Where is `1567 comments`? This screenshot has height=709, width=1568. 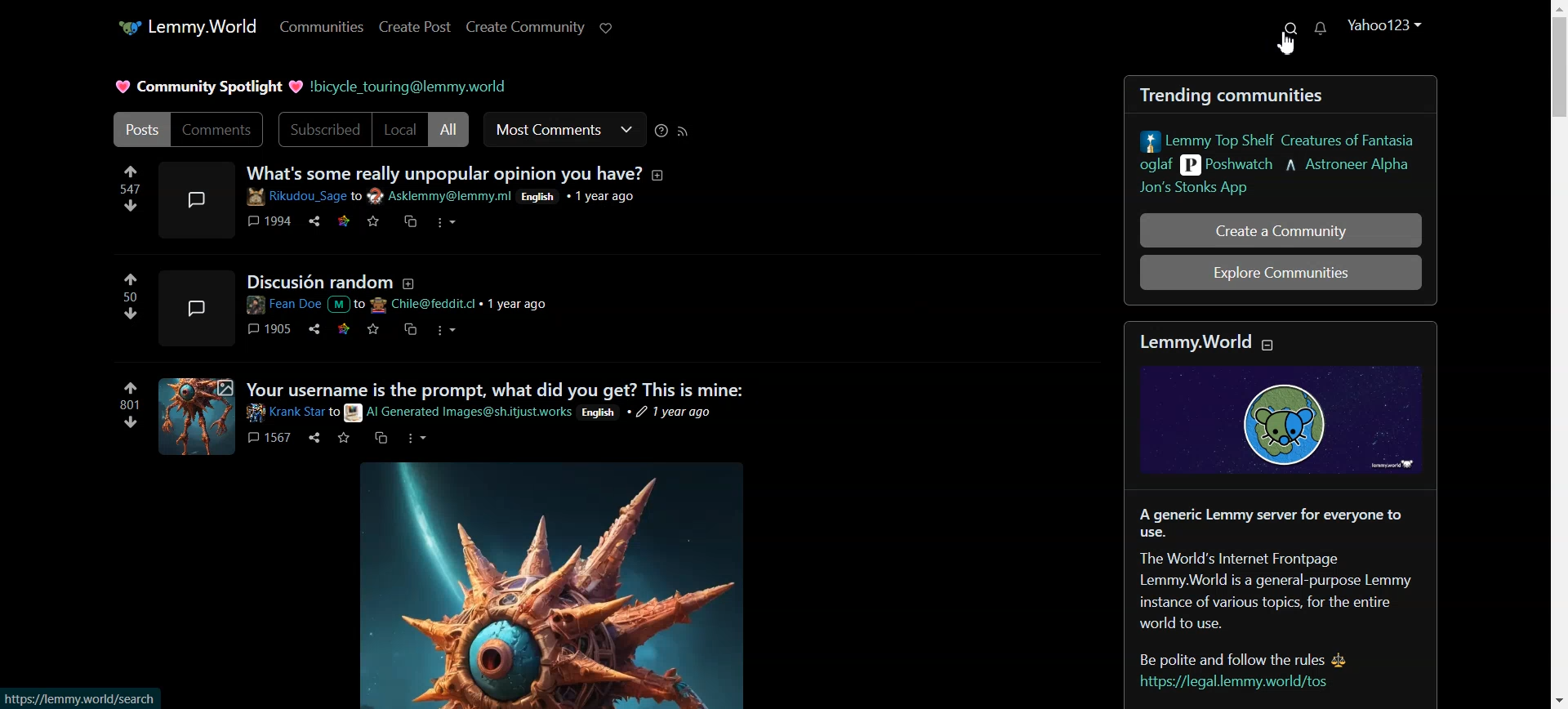 1567 comments is located at coordinates (266, 437).